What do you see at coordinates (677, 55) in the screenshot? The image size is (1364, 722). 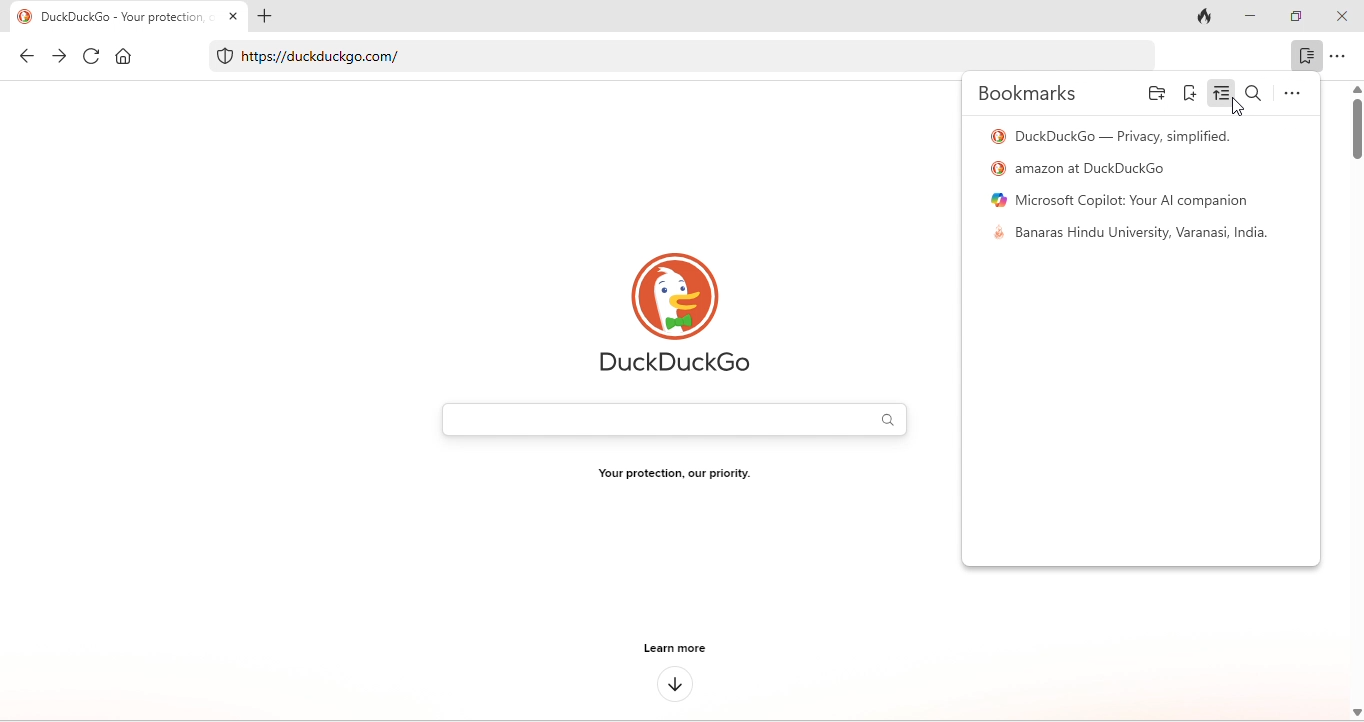 I see `https//duckduckgo.com/` at bounding box center [677, 55].